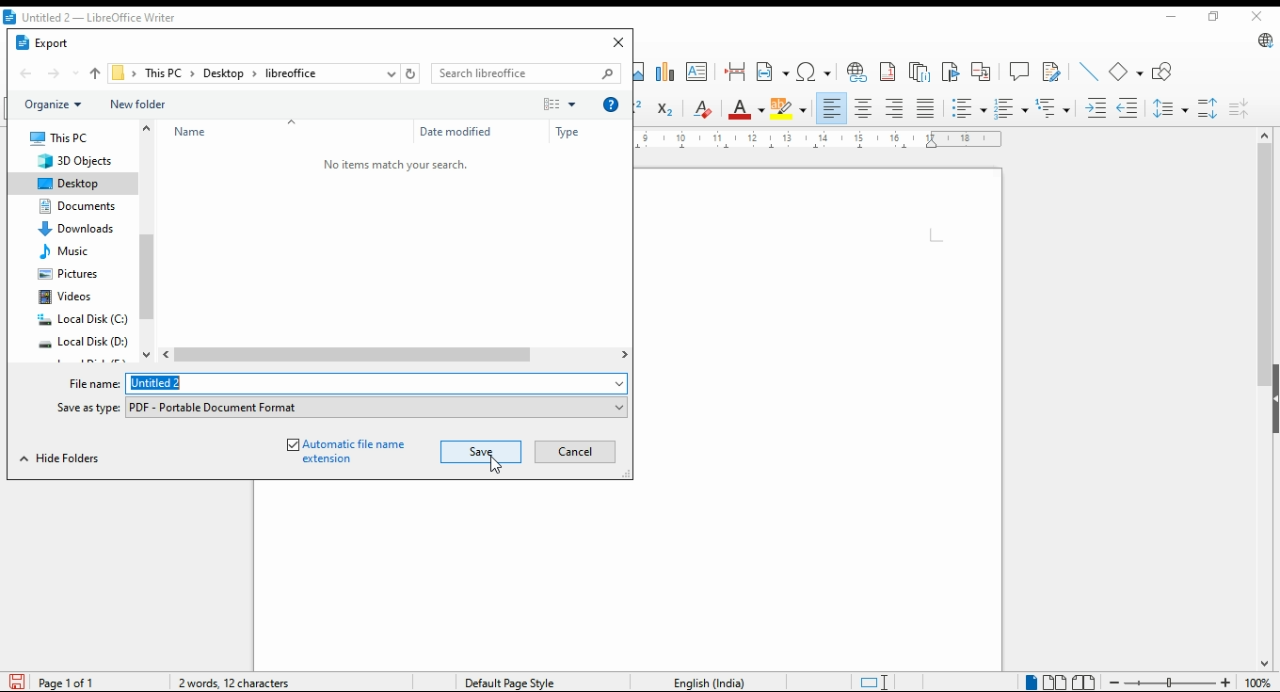 The image size is (1280, 692). What do you see at coordinates (575, 133) in the screenshot?
I see `type` at bounding box center [575, 133].